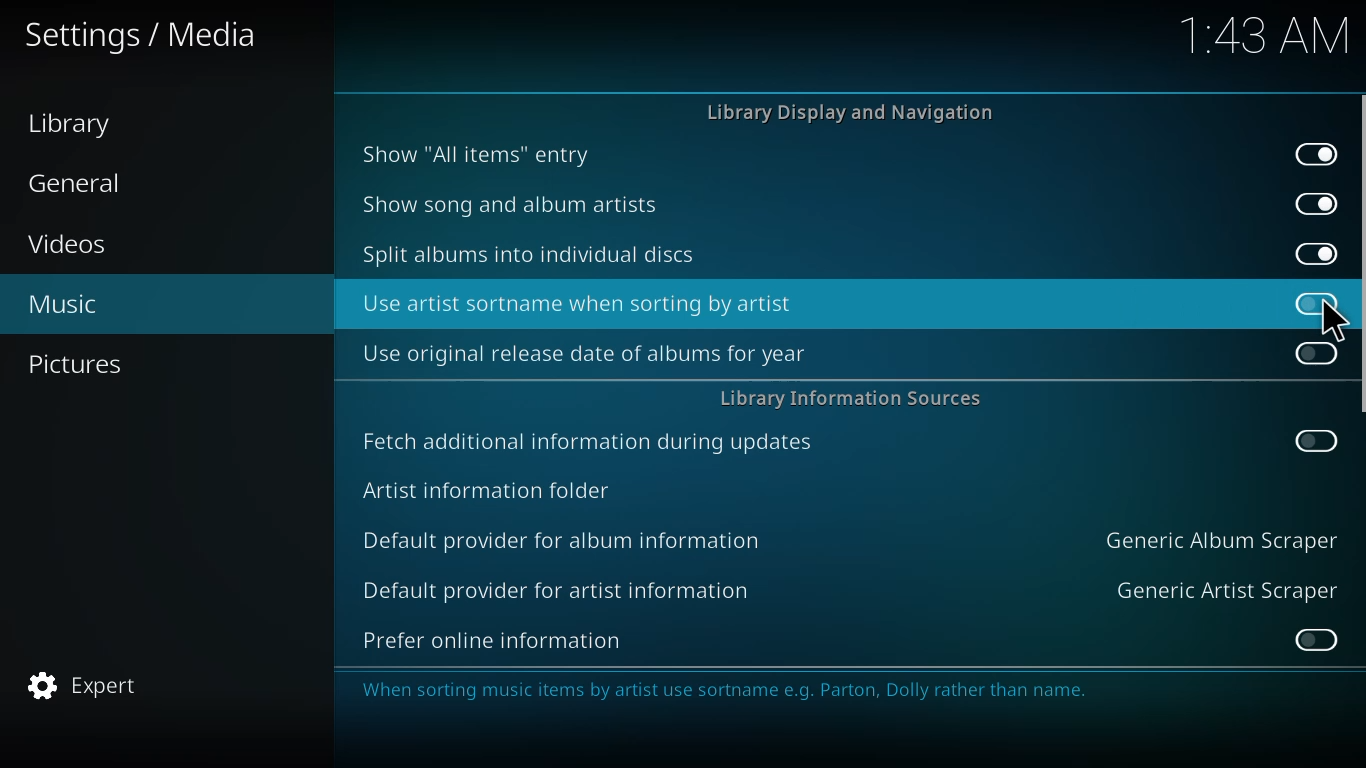 Image resolution: width=1366 pixels, height=768 pixels. What do you see at coordinates (592, 442) in the screenshot?
I see `fetch additional info` at bounding box center [592, 442].